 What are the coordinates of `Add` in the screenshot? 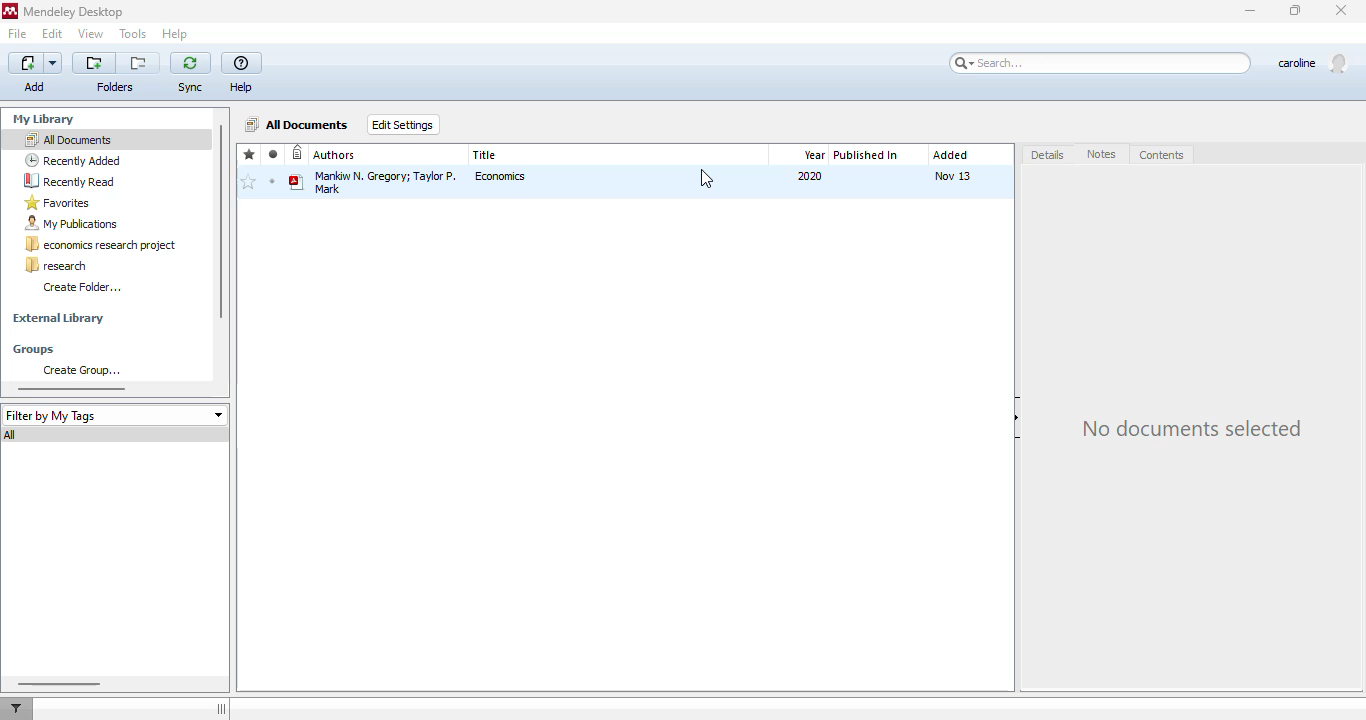 It's located at (36, 86).